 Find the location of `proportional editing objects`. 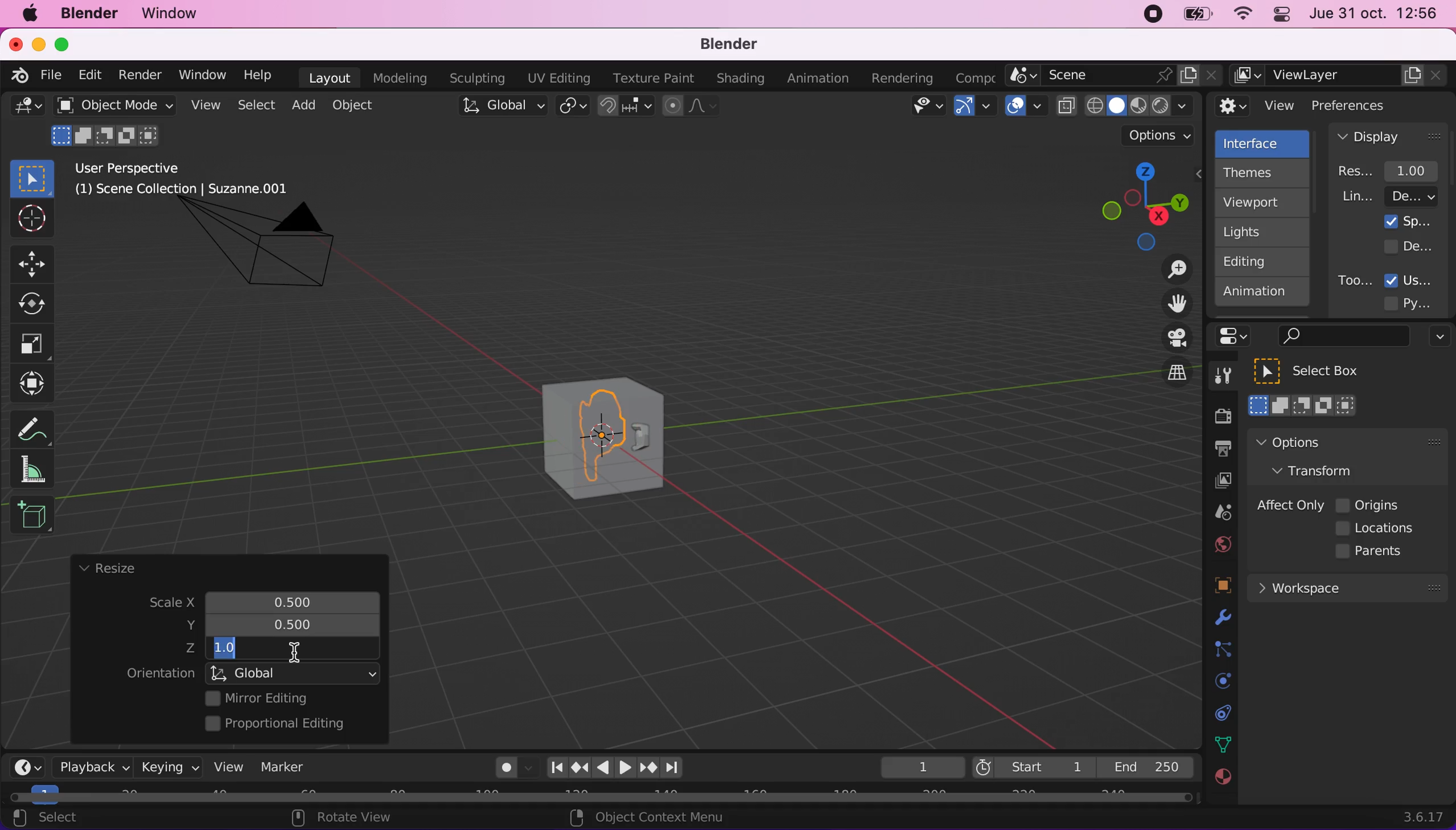

proportional editing objects is located at coordinates (692, 107).